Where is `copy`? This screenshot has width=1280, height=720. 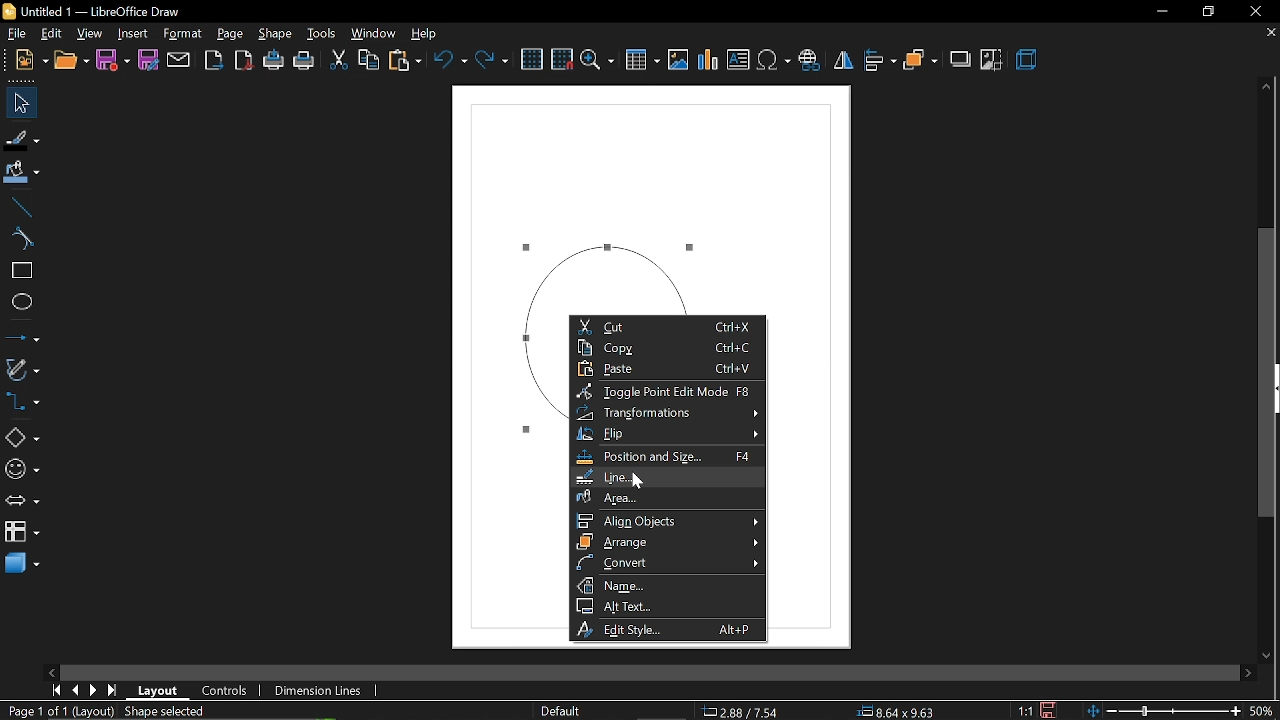 copy is located at coordinates (370, 60).